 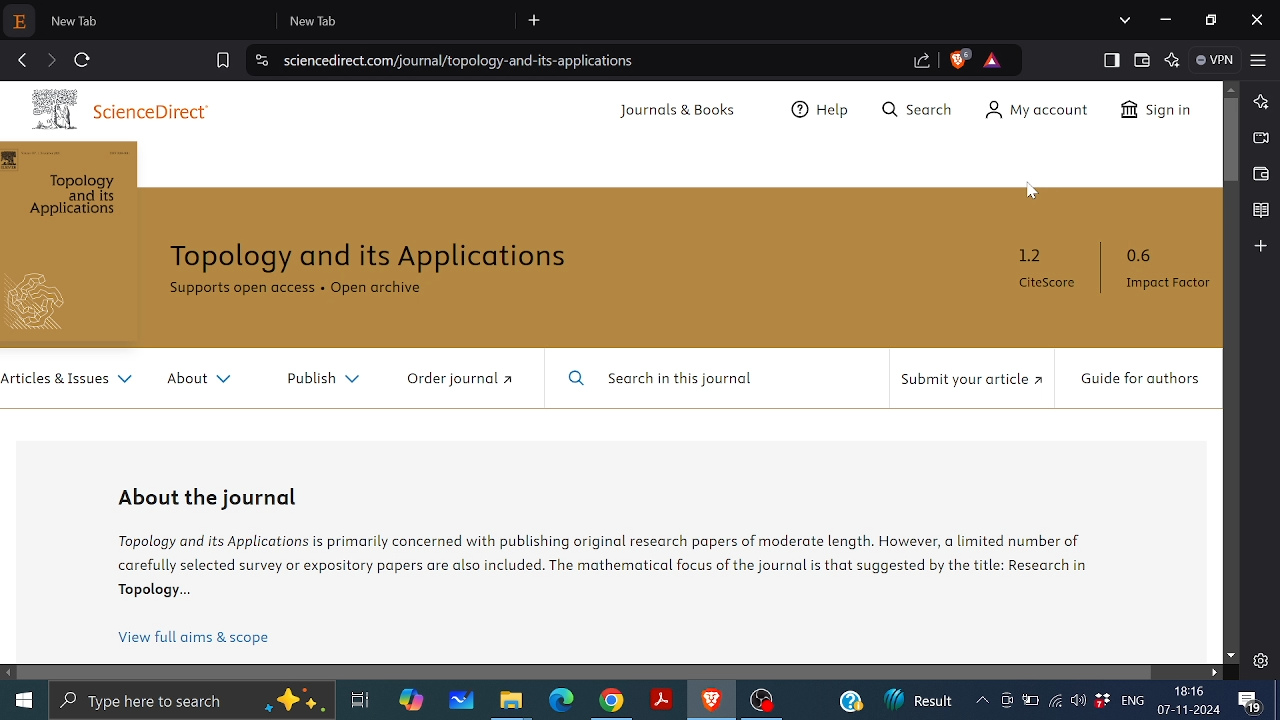 What do you see at coordinates (223, 60) in the screenshot?
I see `Bookmark this tab` at bounding box center [223, 60].